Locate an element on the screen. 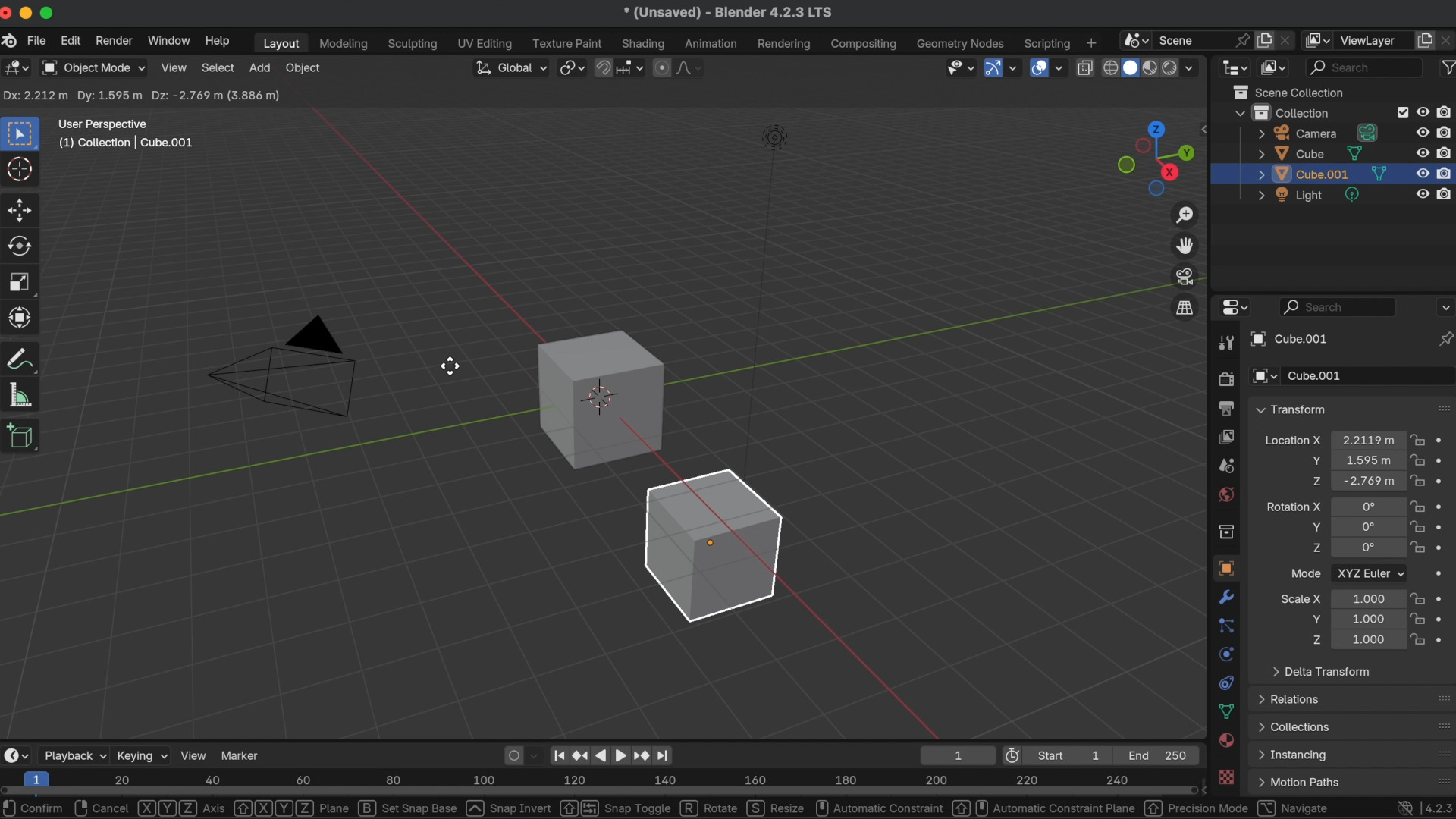 Image resolution: width=1456 pixels, height=819 pixels. viewport shading material preview mode is located at coordinates (1148, 69).